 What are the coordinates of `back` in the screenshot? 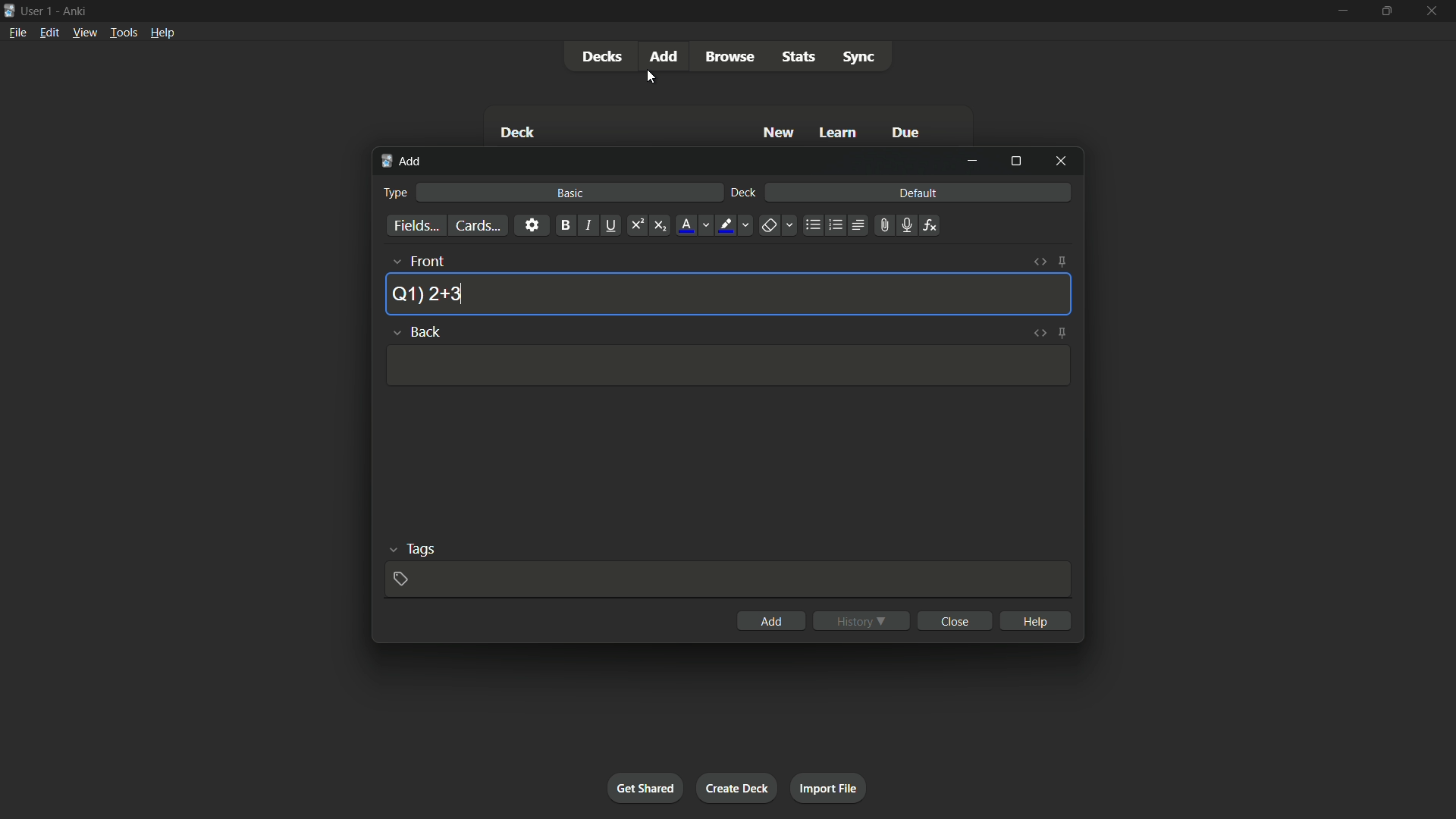 It's located at (428, 332).